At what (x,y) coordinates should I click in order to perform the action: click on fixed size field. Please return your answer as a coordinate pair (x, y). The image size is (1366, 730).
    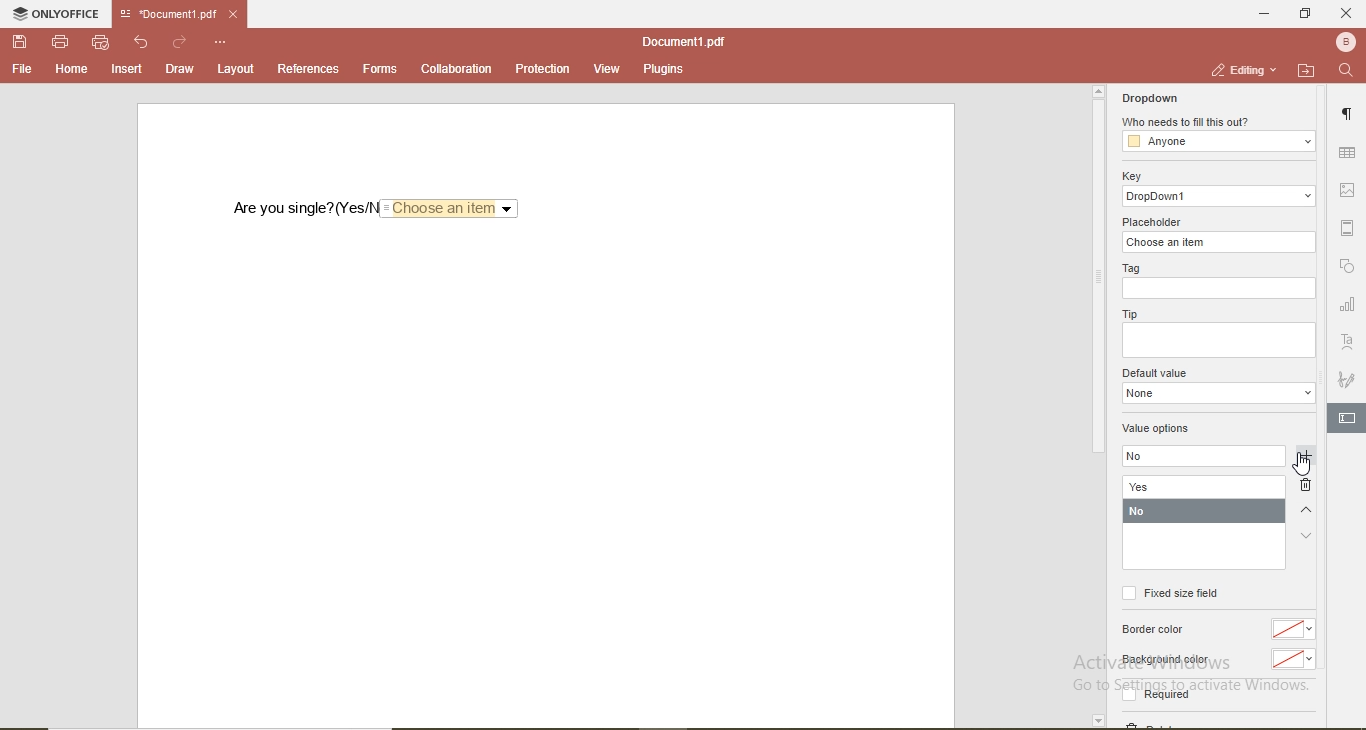
    Looking at the image, I should click on (1172, 594).